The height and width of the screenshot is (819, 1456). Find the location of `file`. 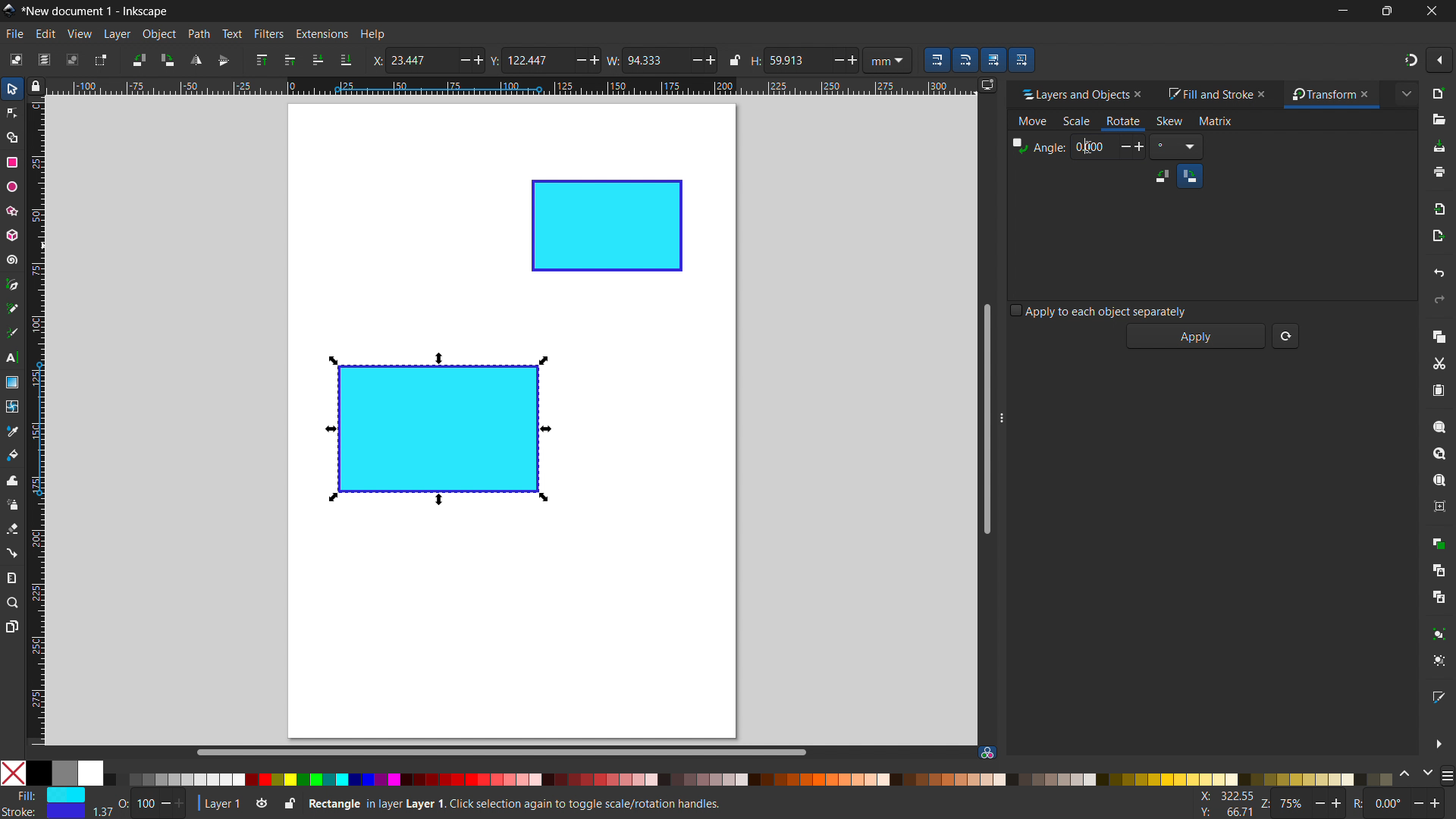

file is located at coordinates (15, 34).